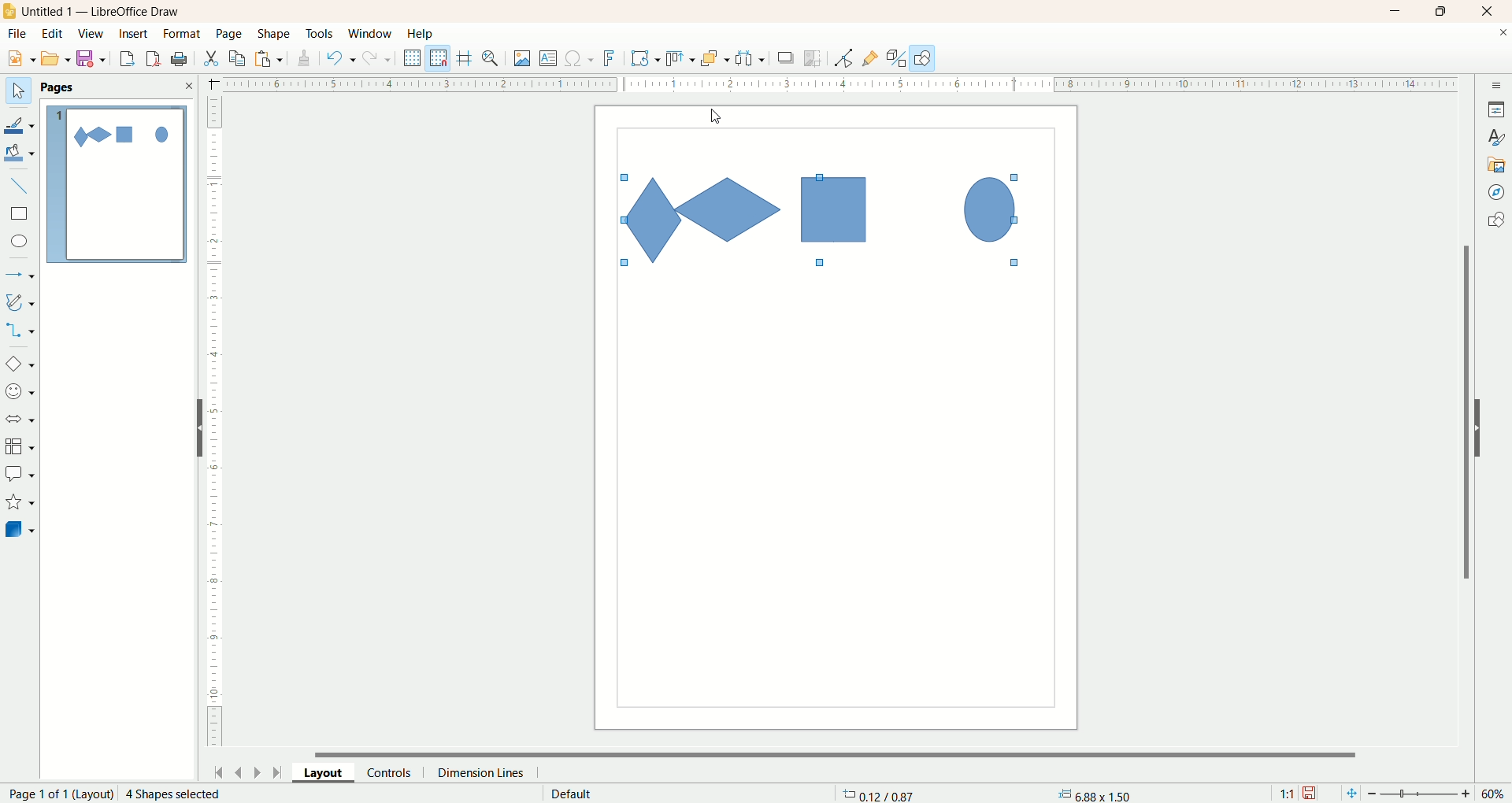 The height and width of the screenshot is (803, 1512). What do you see at coordinates (493, 58) in the screenshot?
I see `zo` at bounding box center [493, 58].